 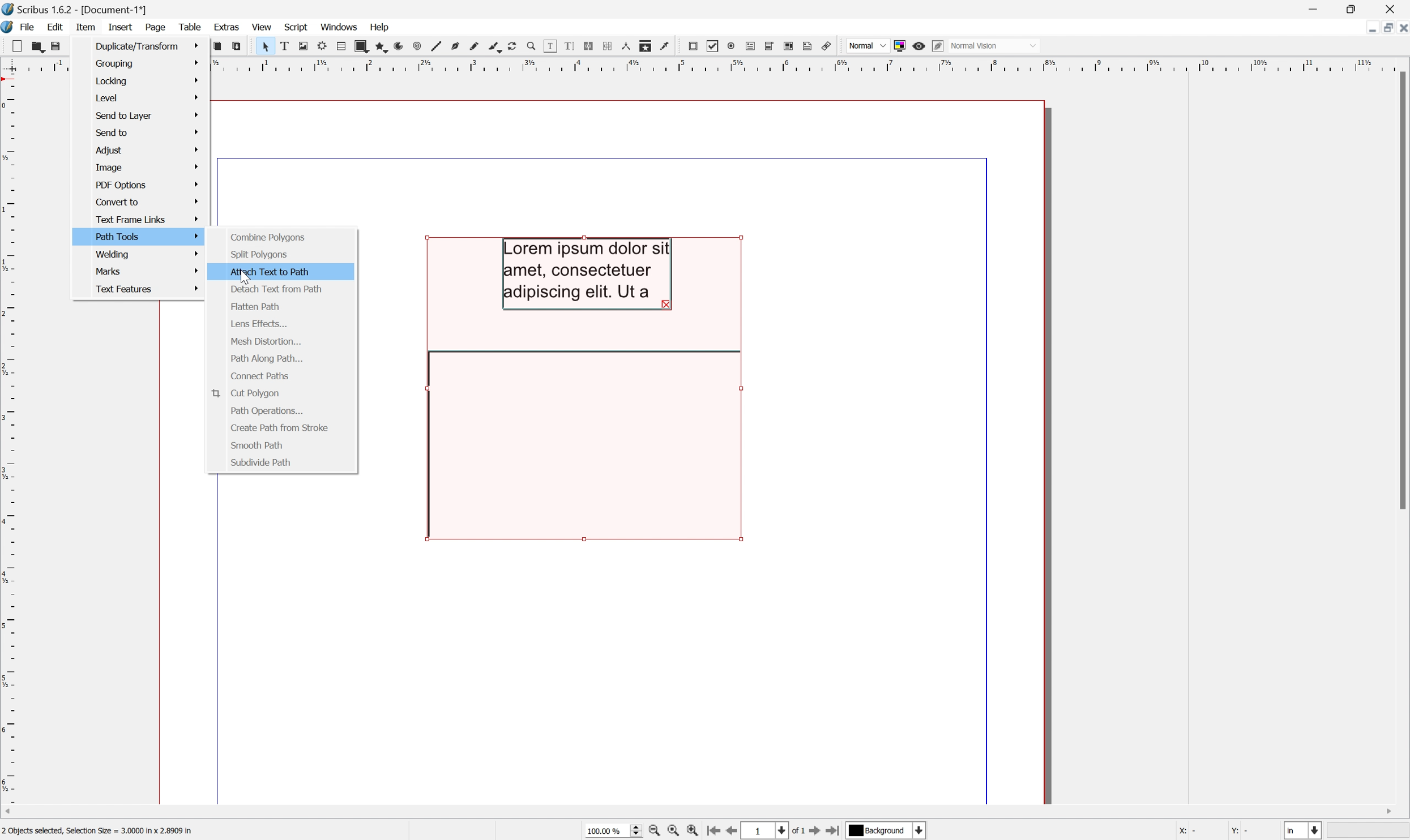 I want to click on Unlink text frames, so click(x=607, y=45).